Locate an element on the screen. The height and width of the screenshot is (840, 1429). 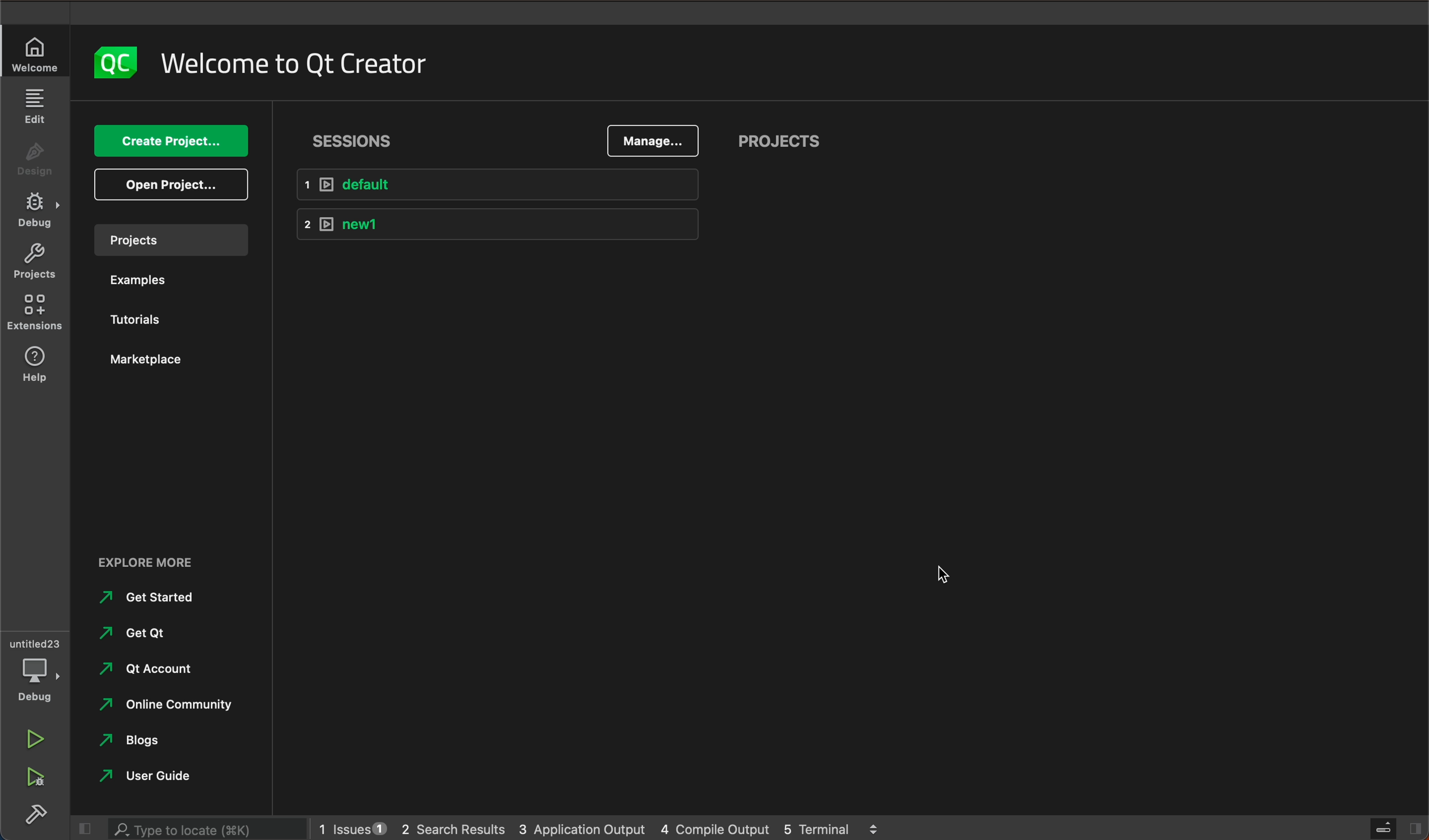
new session is located at coordinates (502, 228).